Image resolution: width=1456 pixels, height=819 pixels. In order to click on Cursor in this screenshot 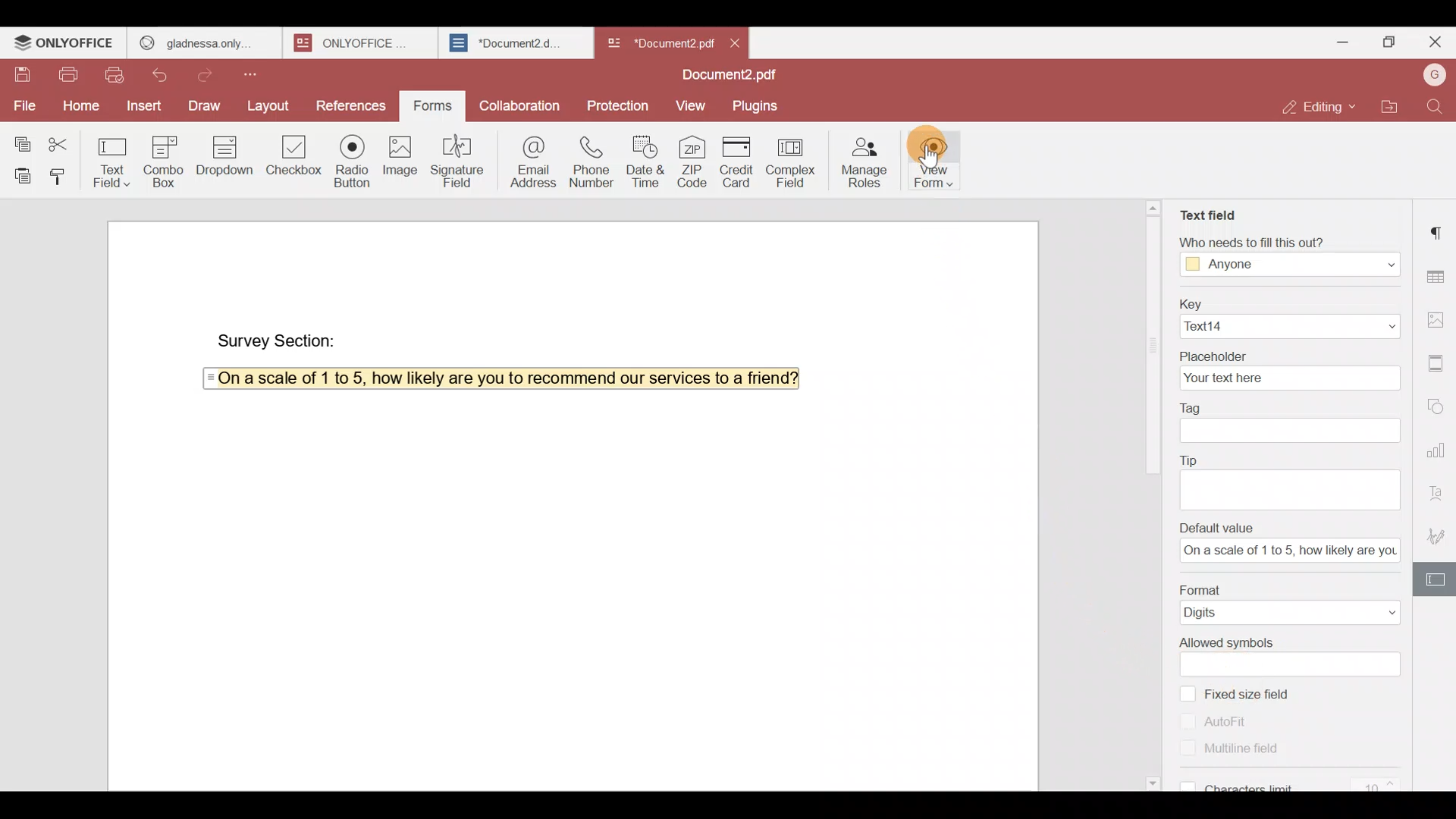, I will do `click(927, 152)`.